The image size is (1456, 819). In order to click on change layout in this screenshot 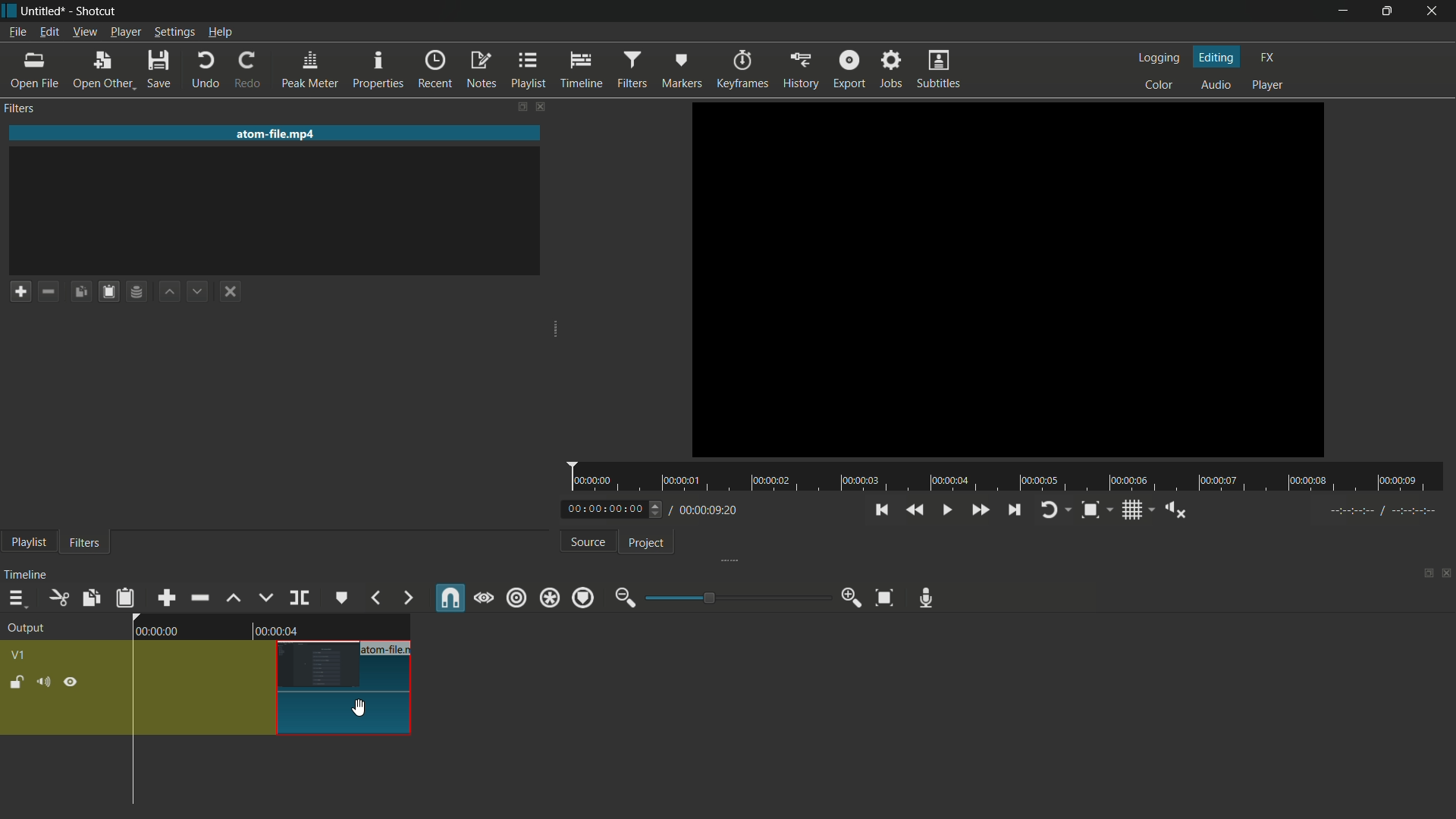, I will do `click(1422, 577)`.